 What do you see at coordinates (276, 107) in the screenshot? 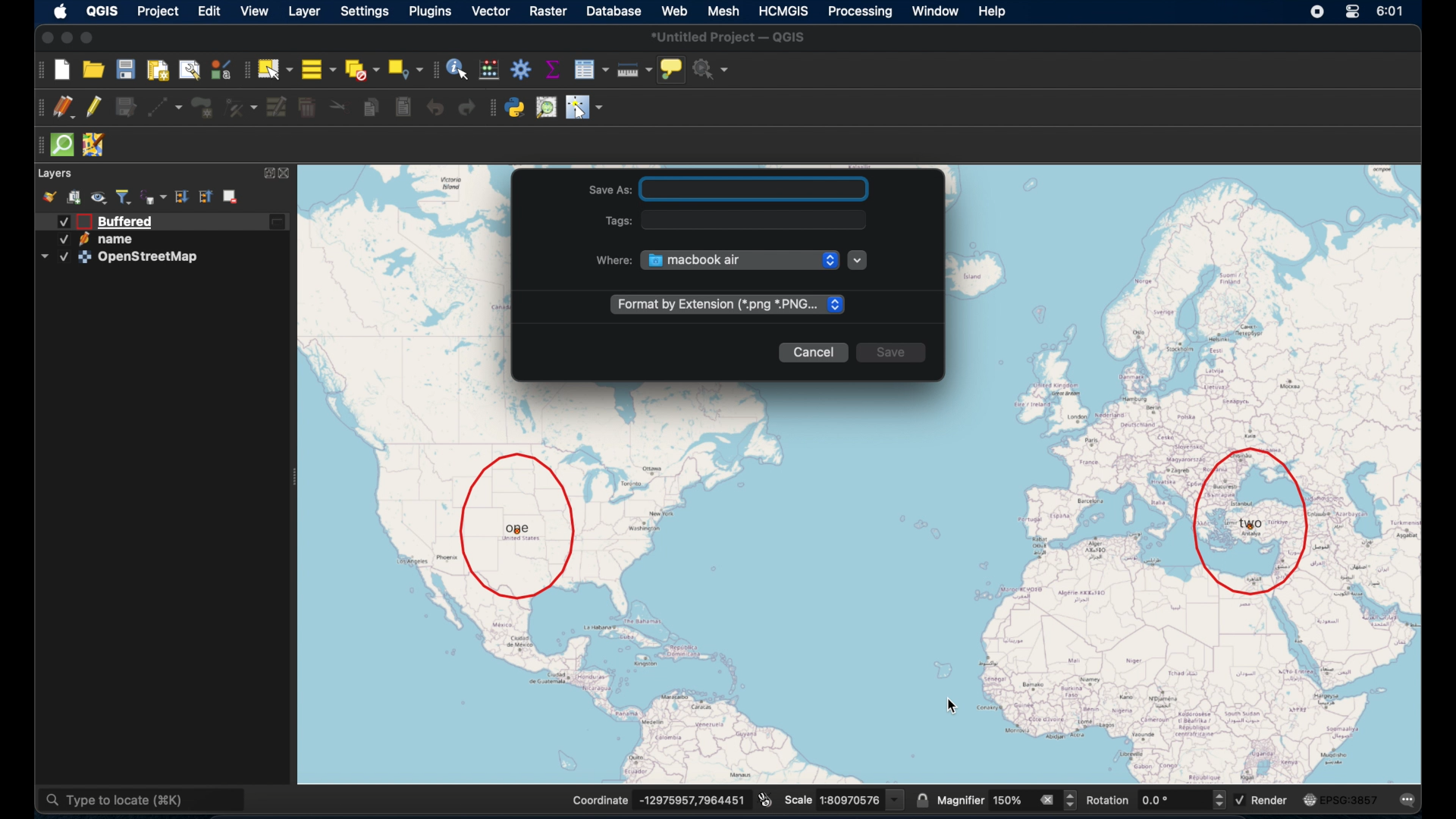
I see `modify attributes` at bounding box center [276, 107].